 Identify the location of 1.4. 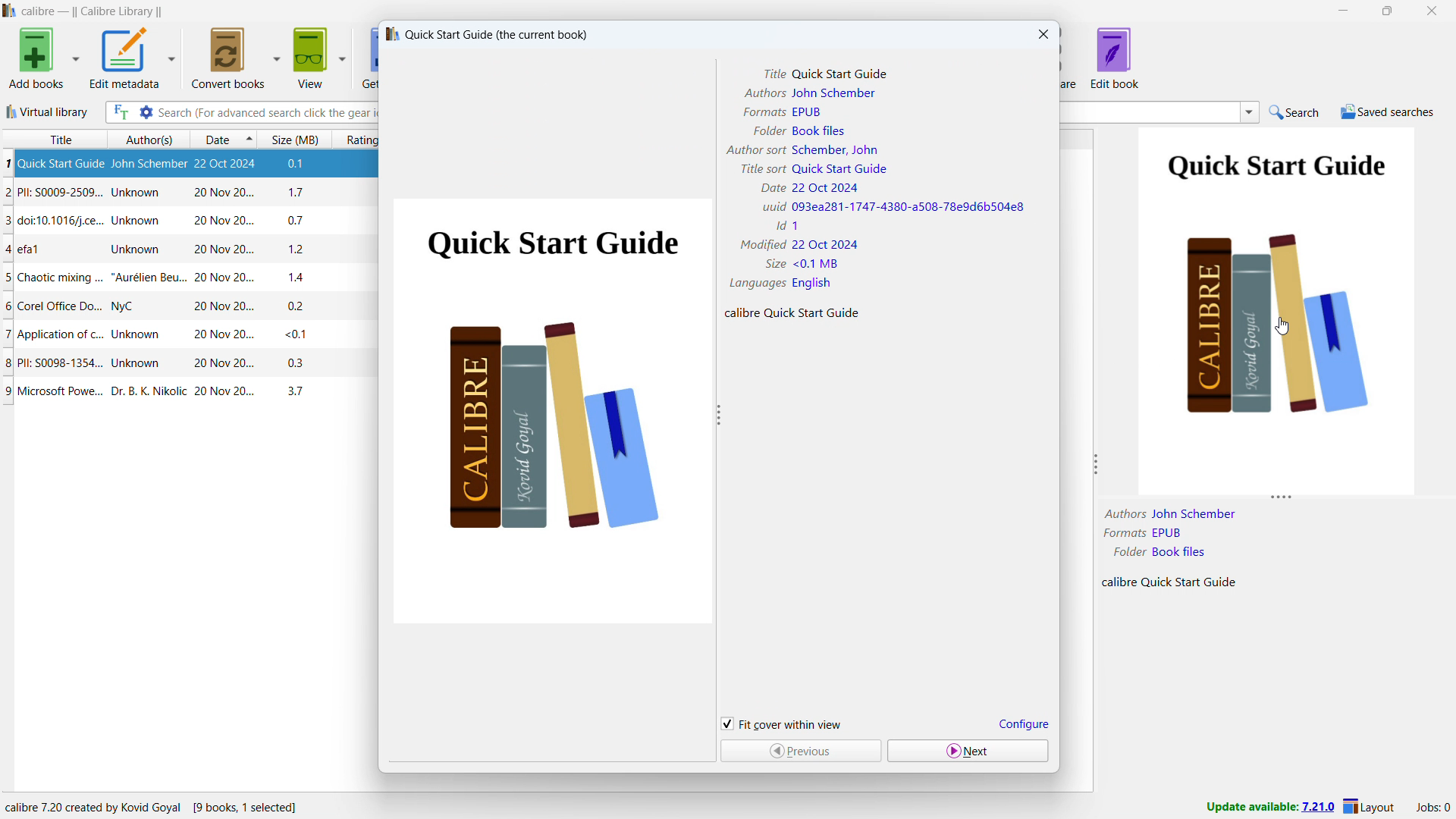
(300, 278).